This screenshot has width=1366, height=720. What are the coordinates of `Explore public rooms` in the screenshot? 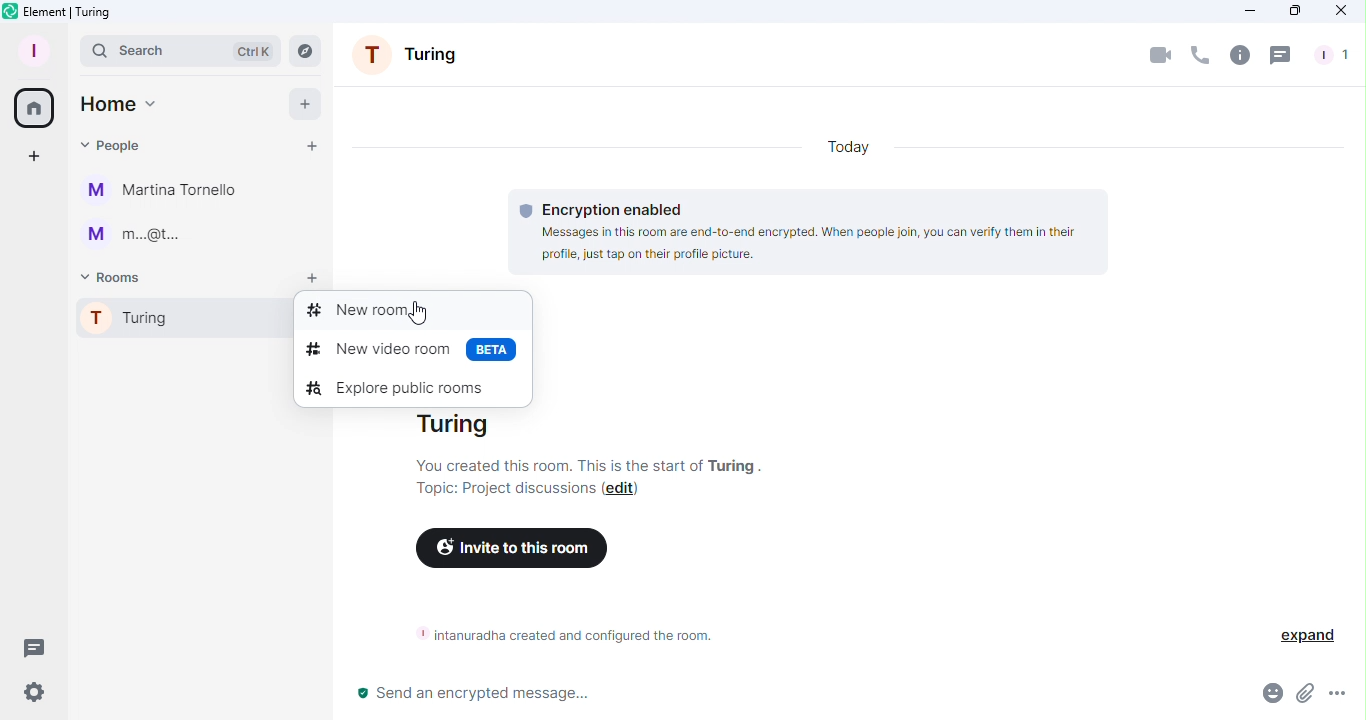 It's located at (397, 387).